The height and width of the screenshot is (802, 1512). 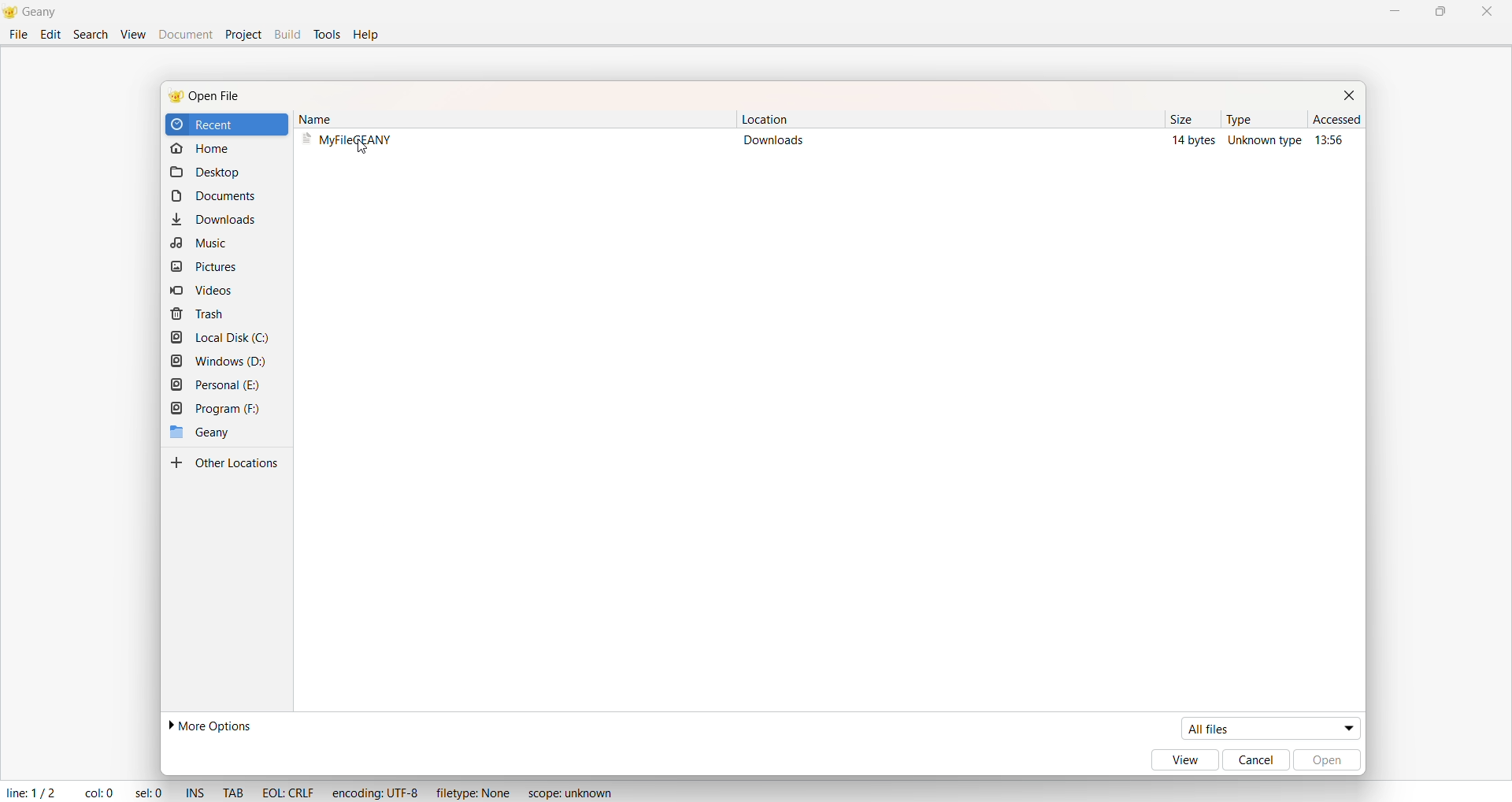 I want to click on Tools, so click(x=328, y=34).